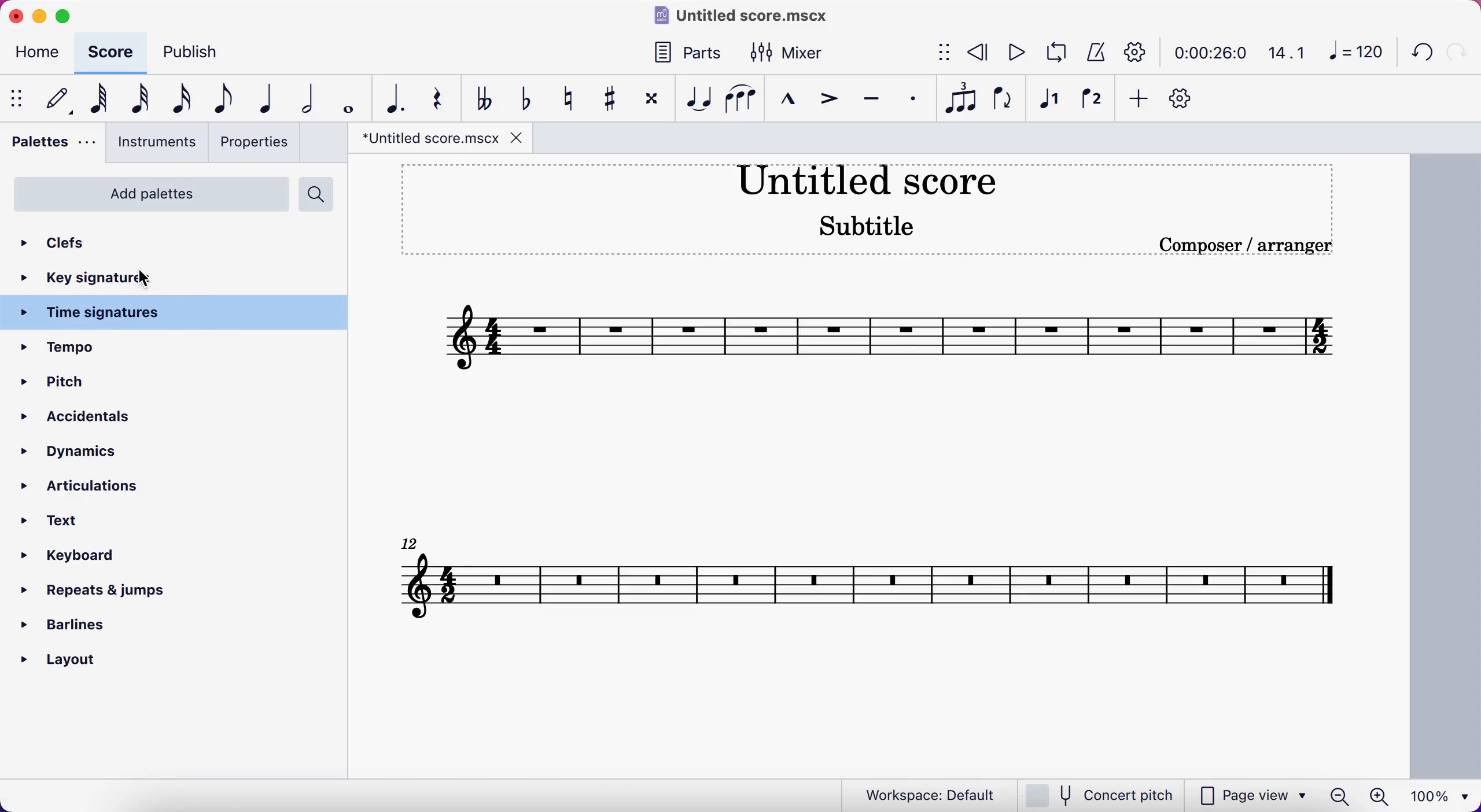 The height and width of the screenshot is (812, 1481). I want to click on eight note, so click(227, 97).